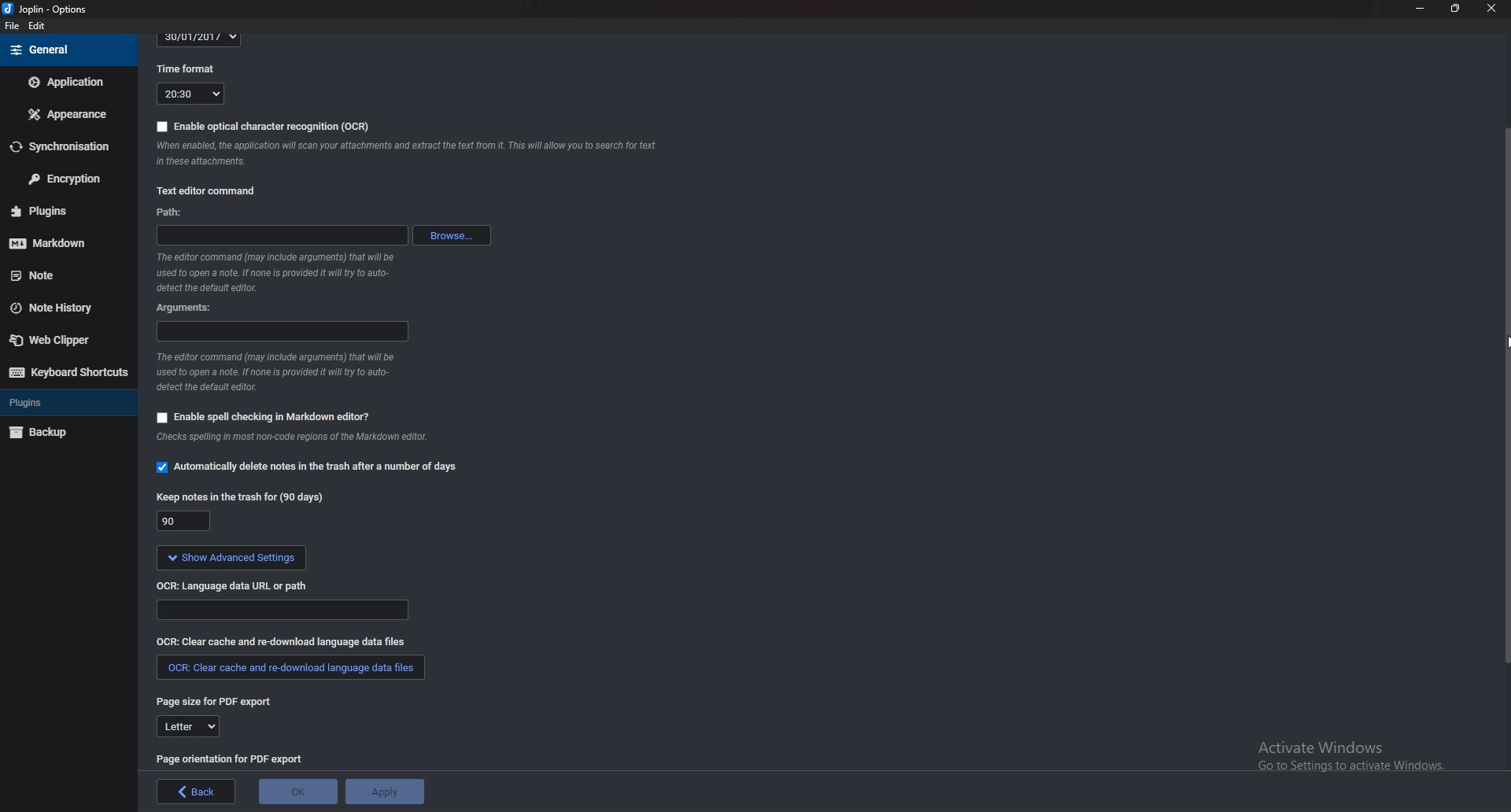 The height and width of the screenshot is (812, 1511). Describe the element at coordinates (62, 340) in the screenshot. I see `Web clipper` at that location.